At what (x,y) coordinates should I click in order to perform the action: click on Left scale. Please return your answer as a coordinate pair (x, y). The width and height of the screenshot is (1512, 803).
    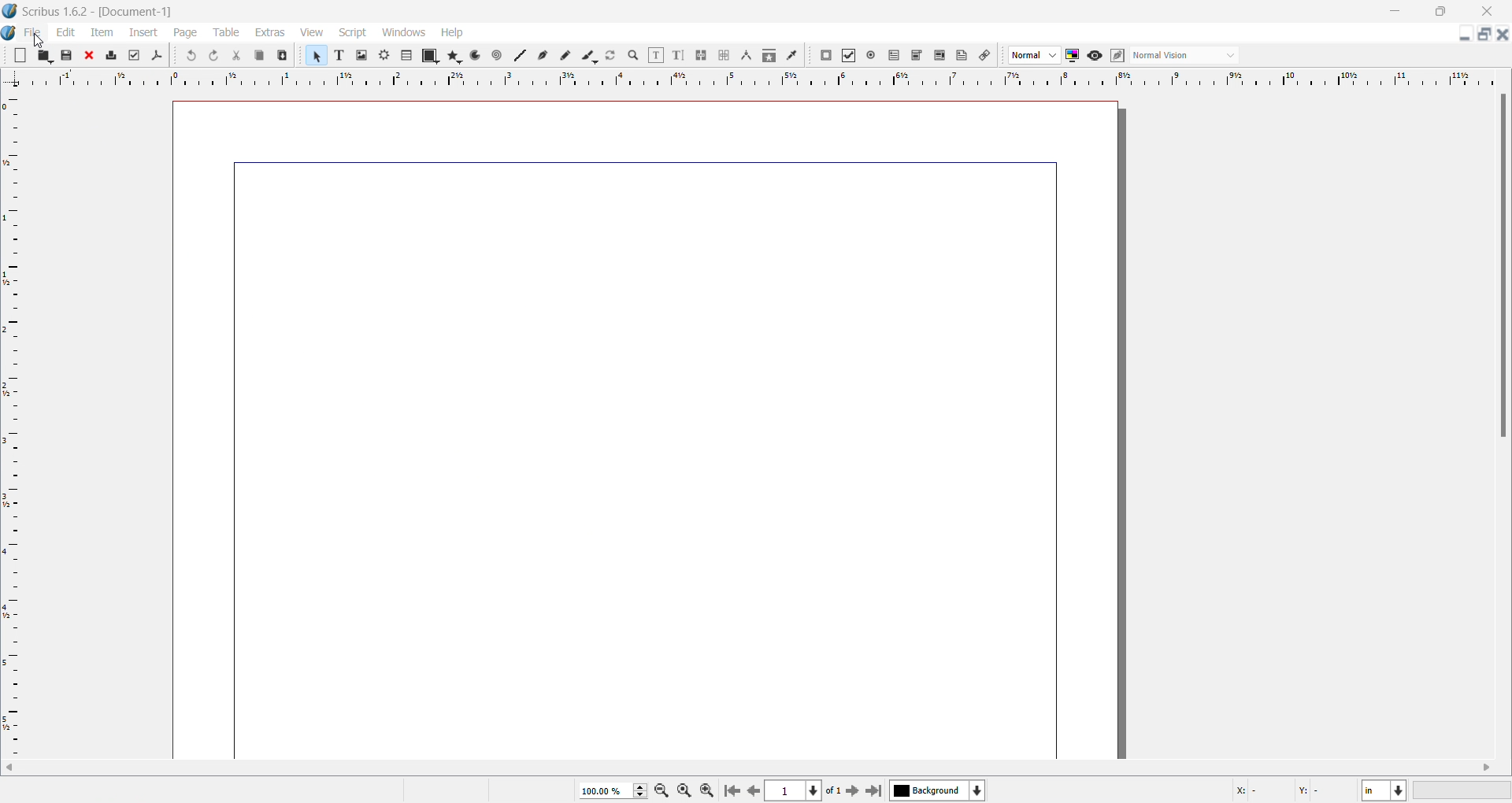
    Looking at the image, I should click on (13, 413).